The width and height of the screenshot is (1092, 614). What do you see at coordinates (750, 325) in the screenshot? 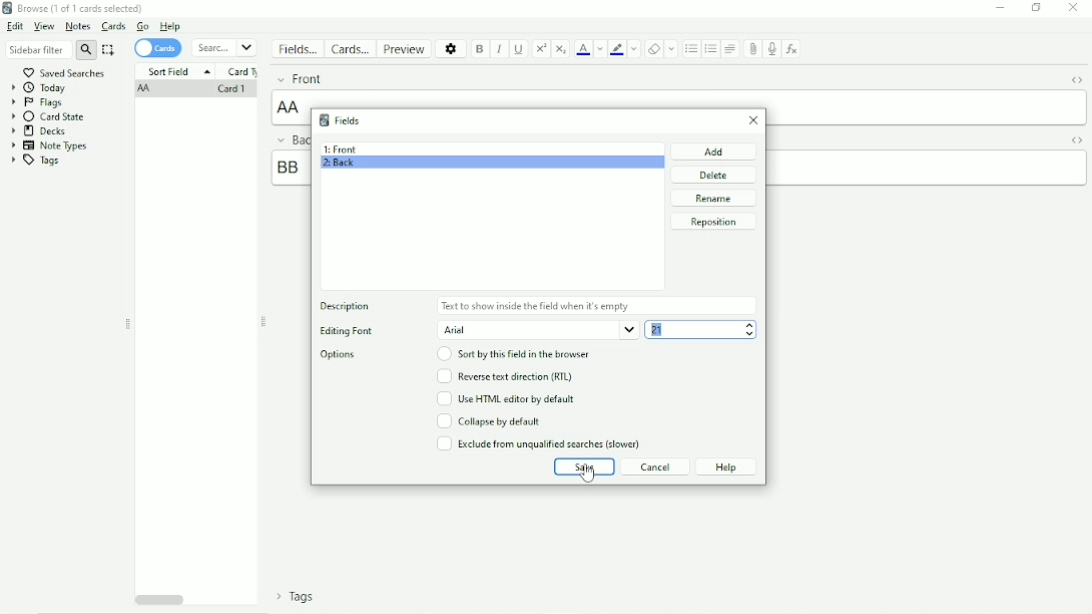
I see `Increment value` at bounding box center [750, 325].